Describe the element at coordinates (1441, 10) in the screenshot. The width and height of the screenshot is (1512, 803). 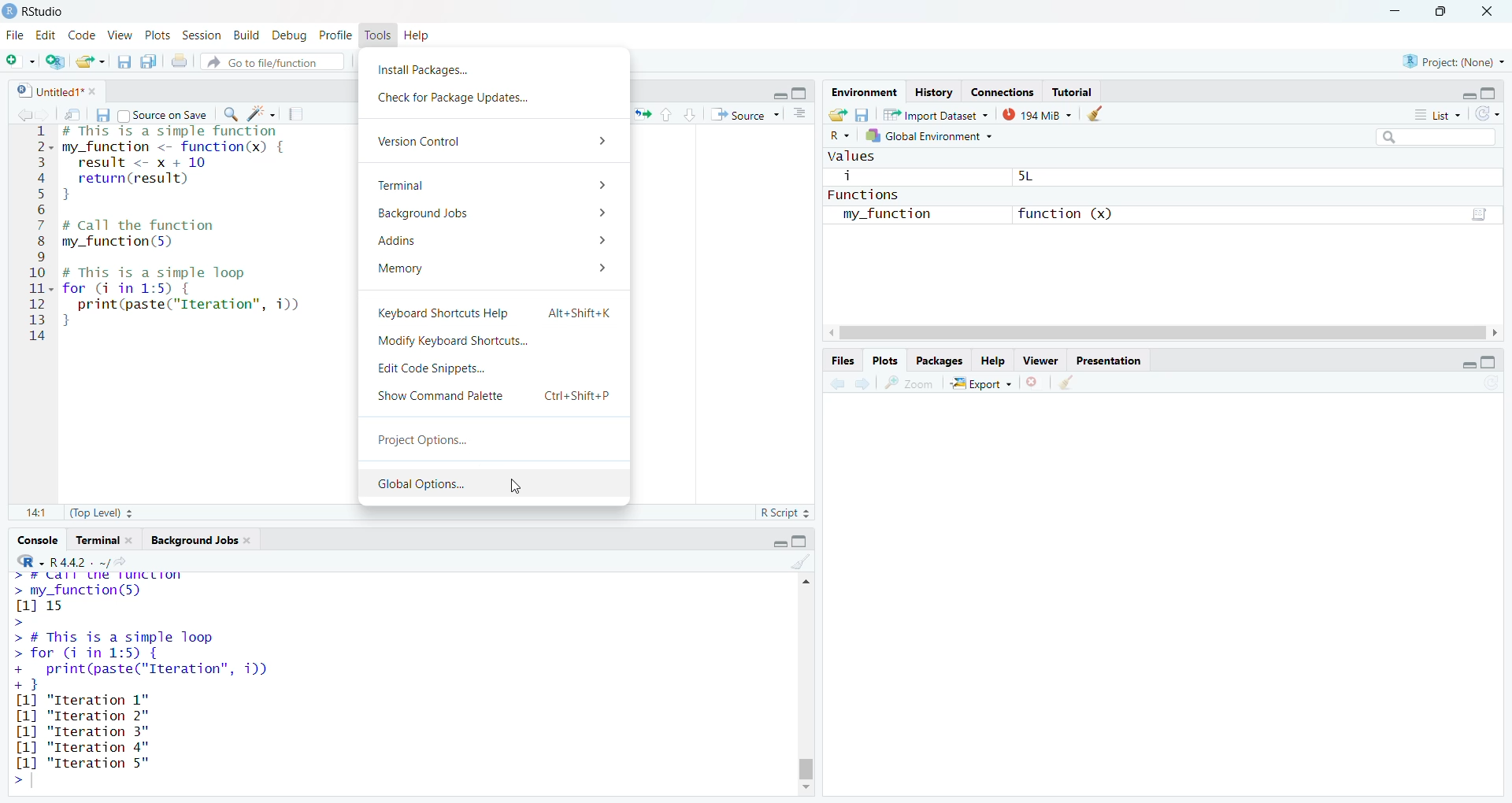
I see `maximize` at that location.